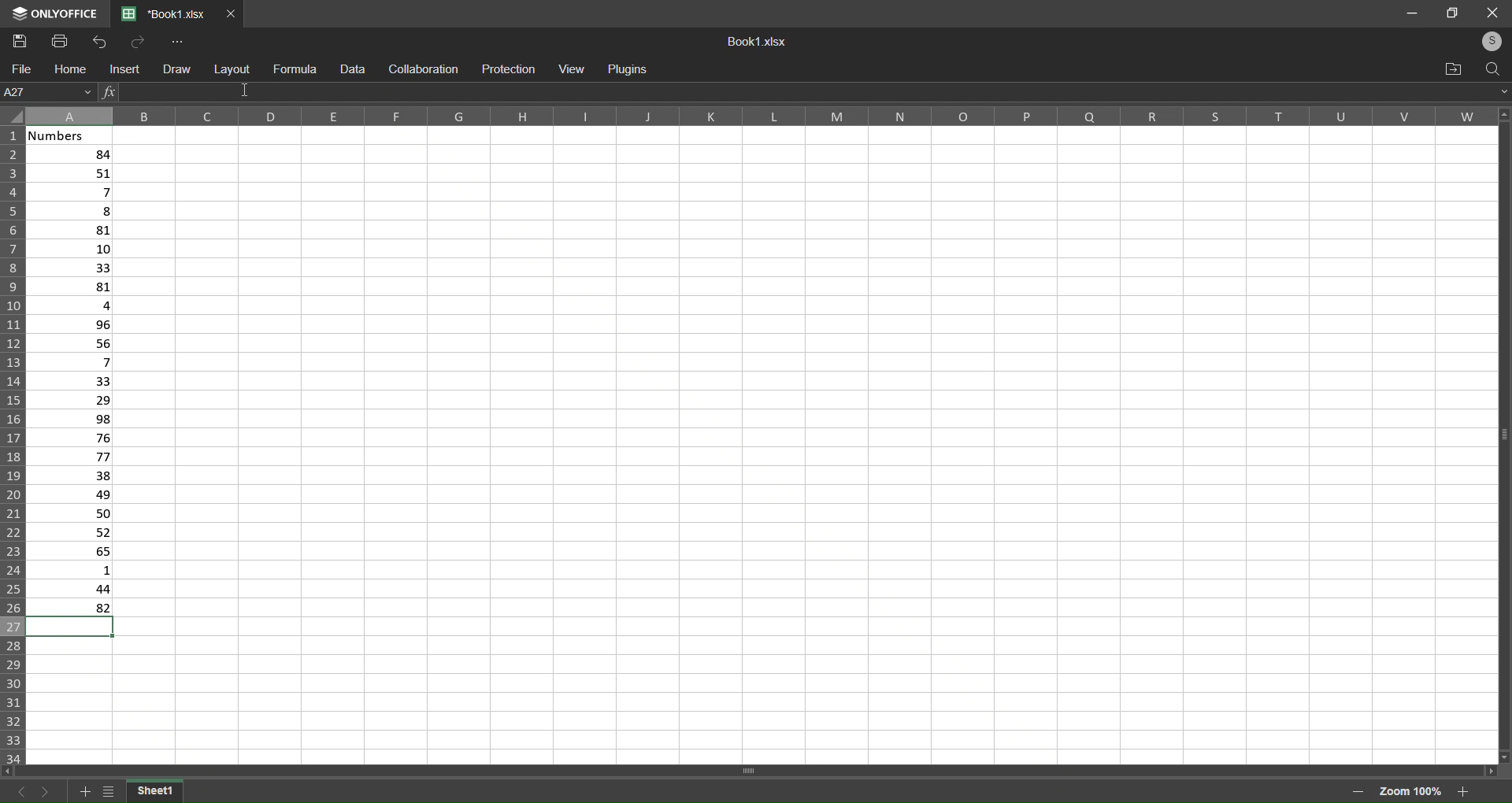  Describe the element at coordinates (761, 40) in the screenshot. I see `Book1.xslx` at that location.